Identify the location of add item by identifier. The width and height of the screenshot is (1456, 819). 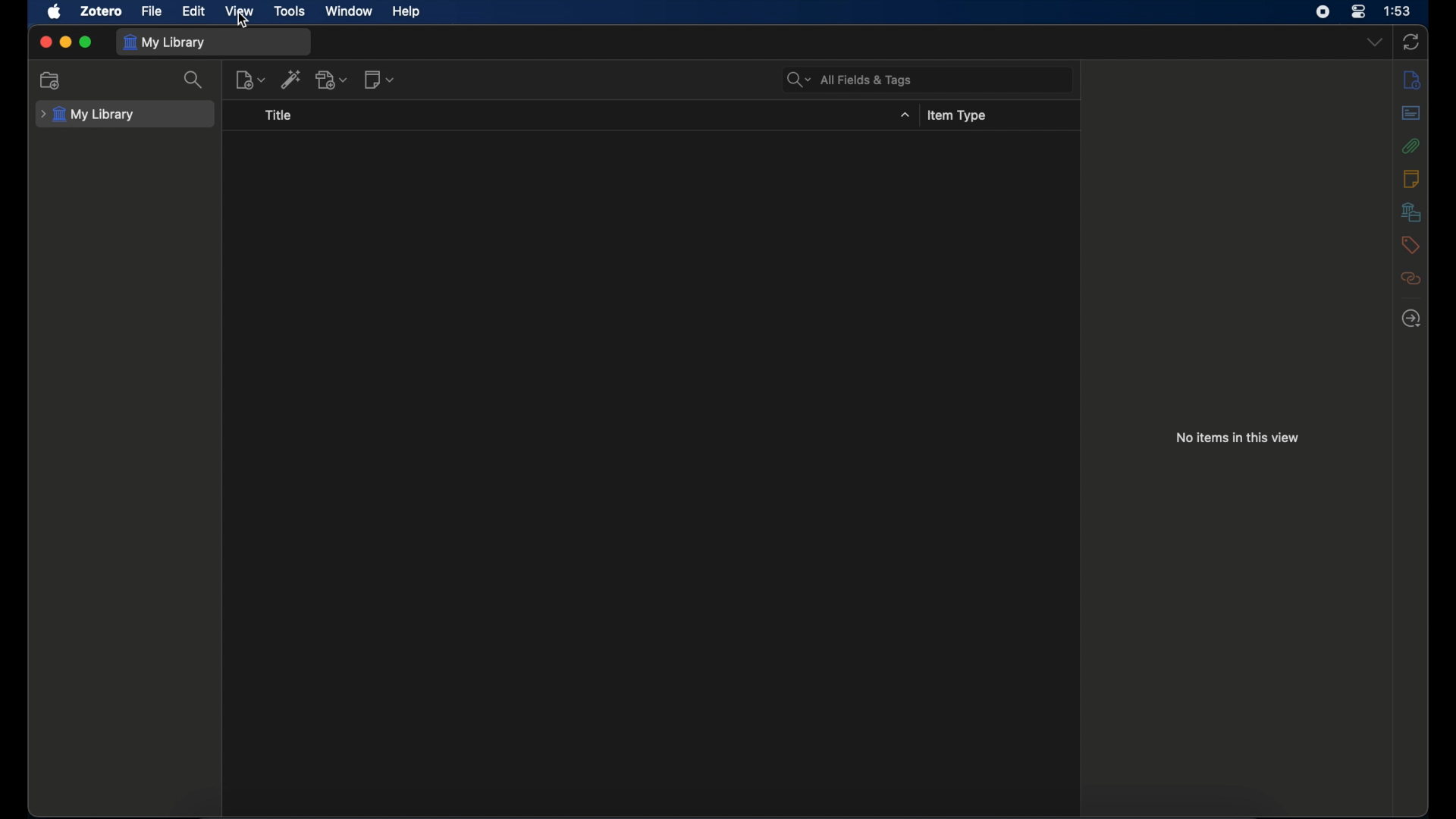
(291, 79).